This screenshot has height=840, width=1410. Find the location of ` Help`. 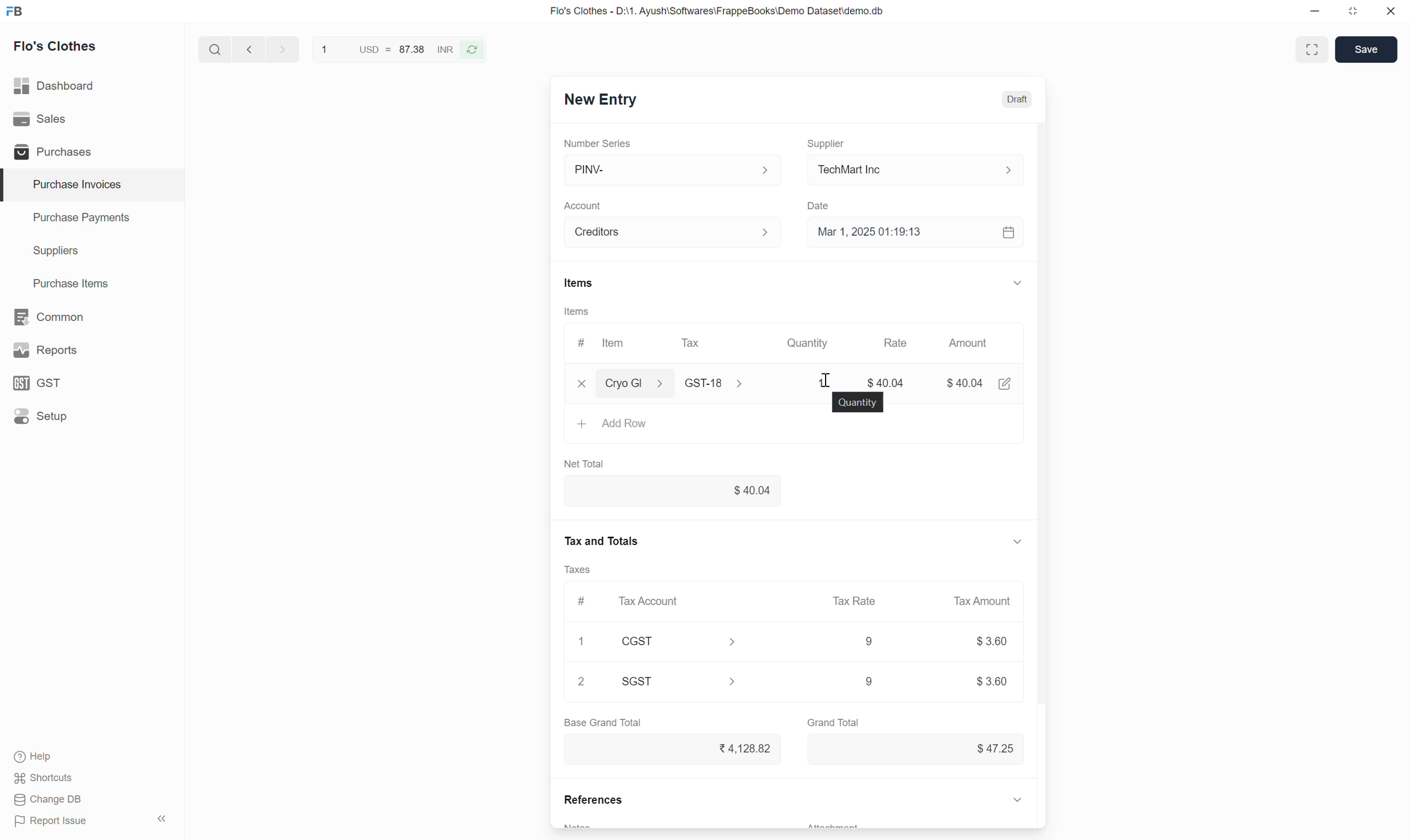

 Help is located at coordinates (46, 758).